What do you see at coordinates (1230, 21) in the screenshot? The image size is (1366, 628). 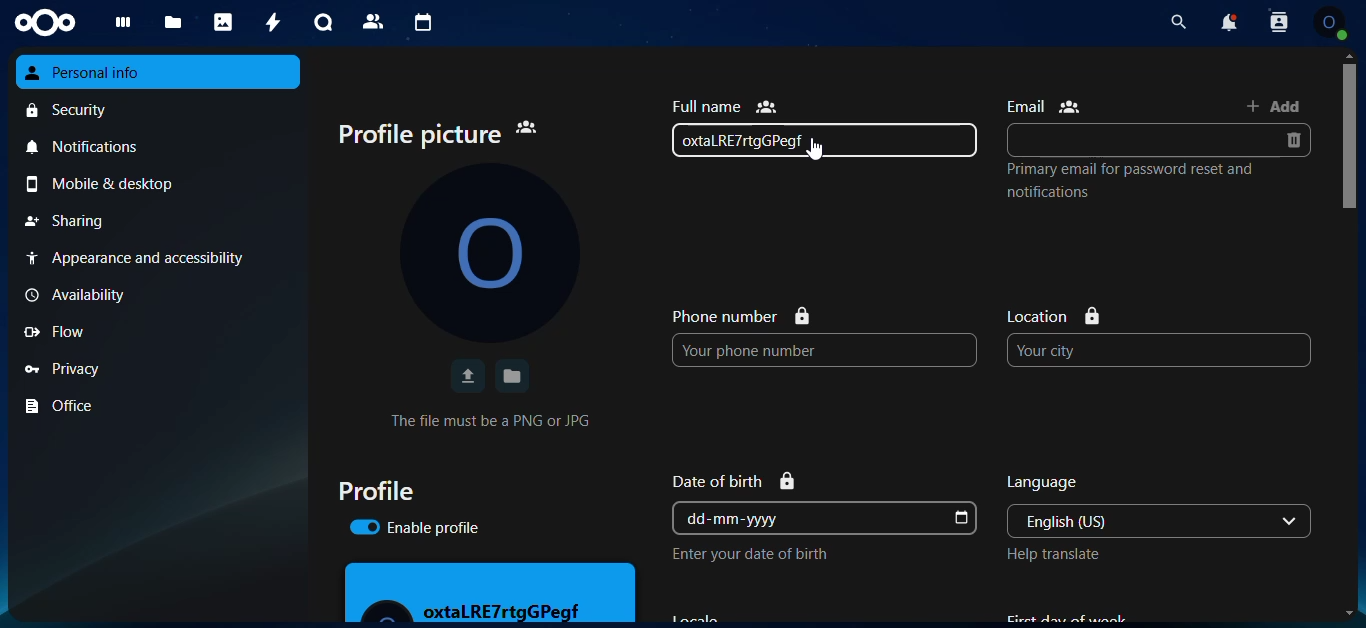 I see `notification` at bounding box center [1230, 21].